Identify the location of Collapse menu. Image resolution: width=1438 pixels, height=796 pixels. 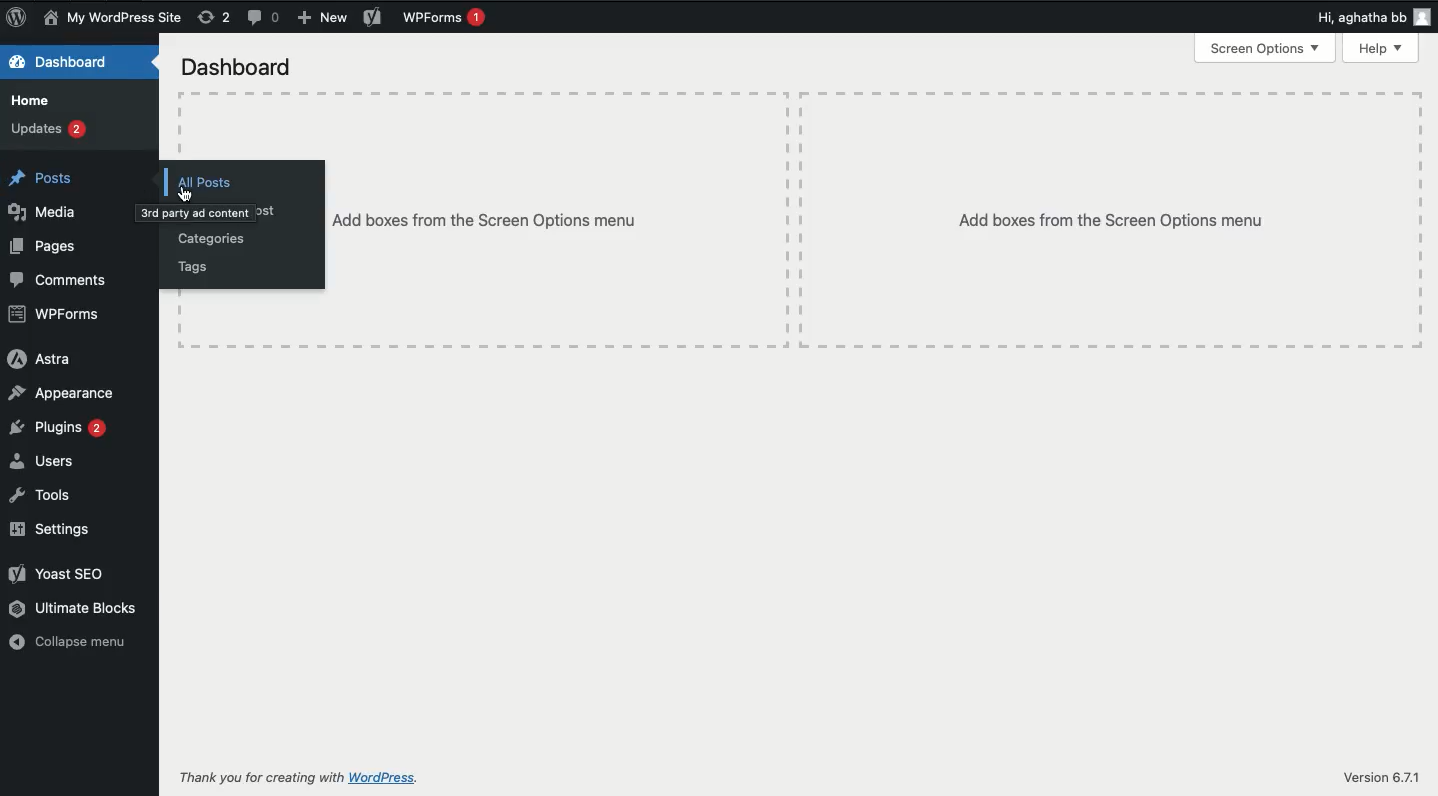
(70, 639).